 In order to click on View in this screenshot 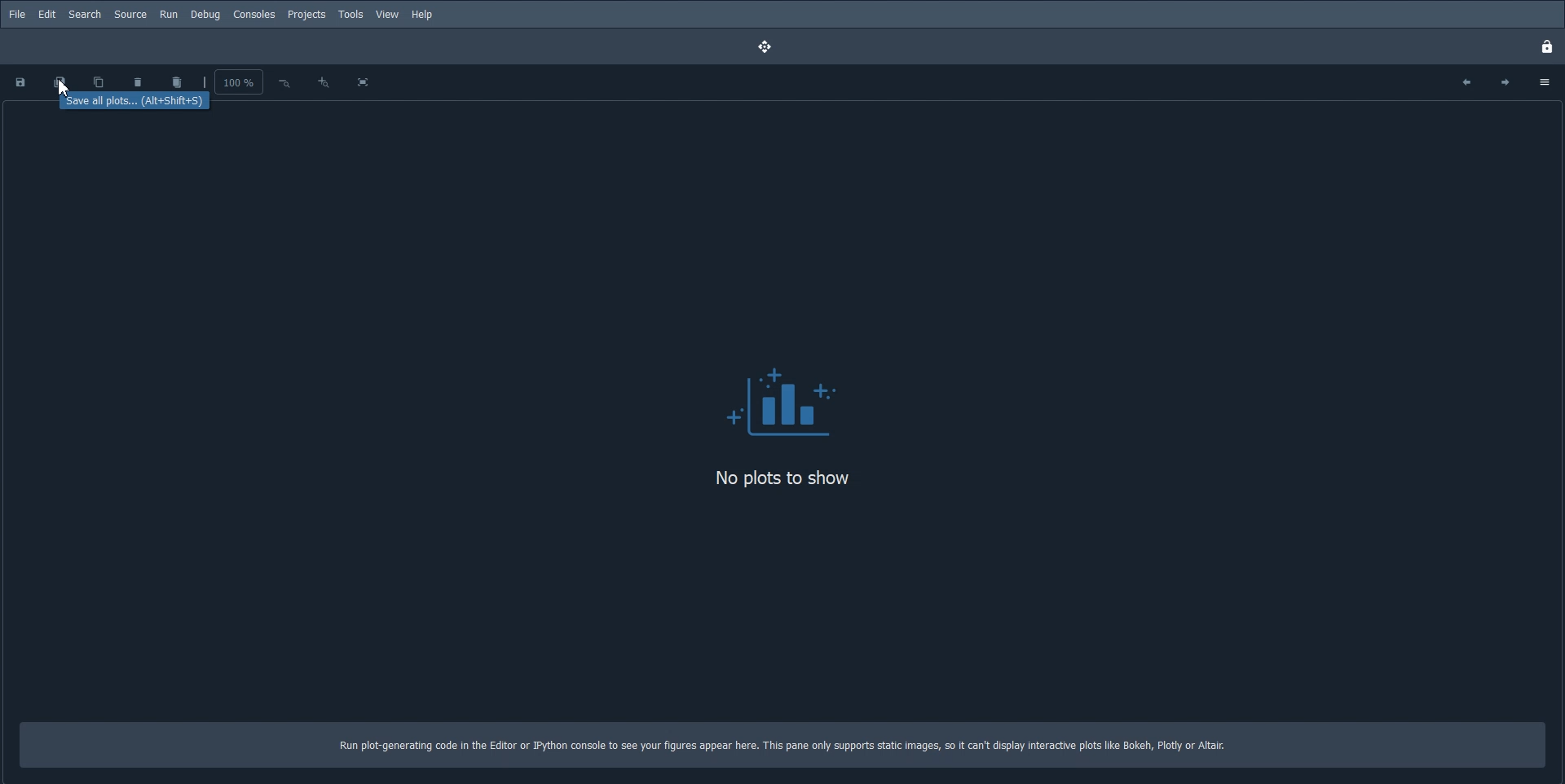, I will do `click(388, 15)`.